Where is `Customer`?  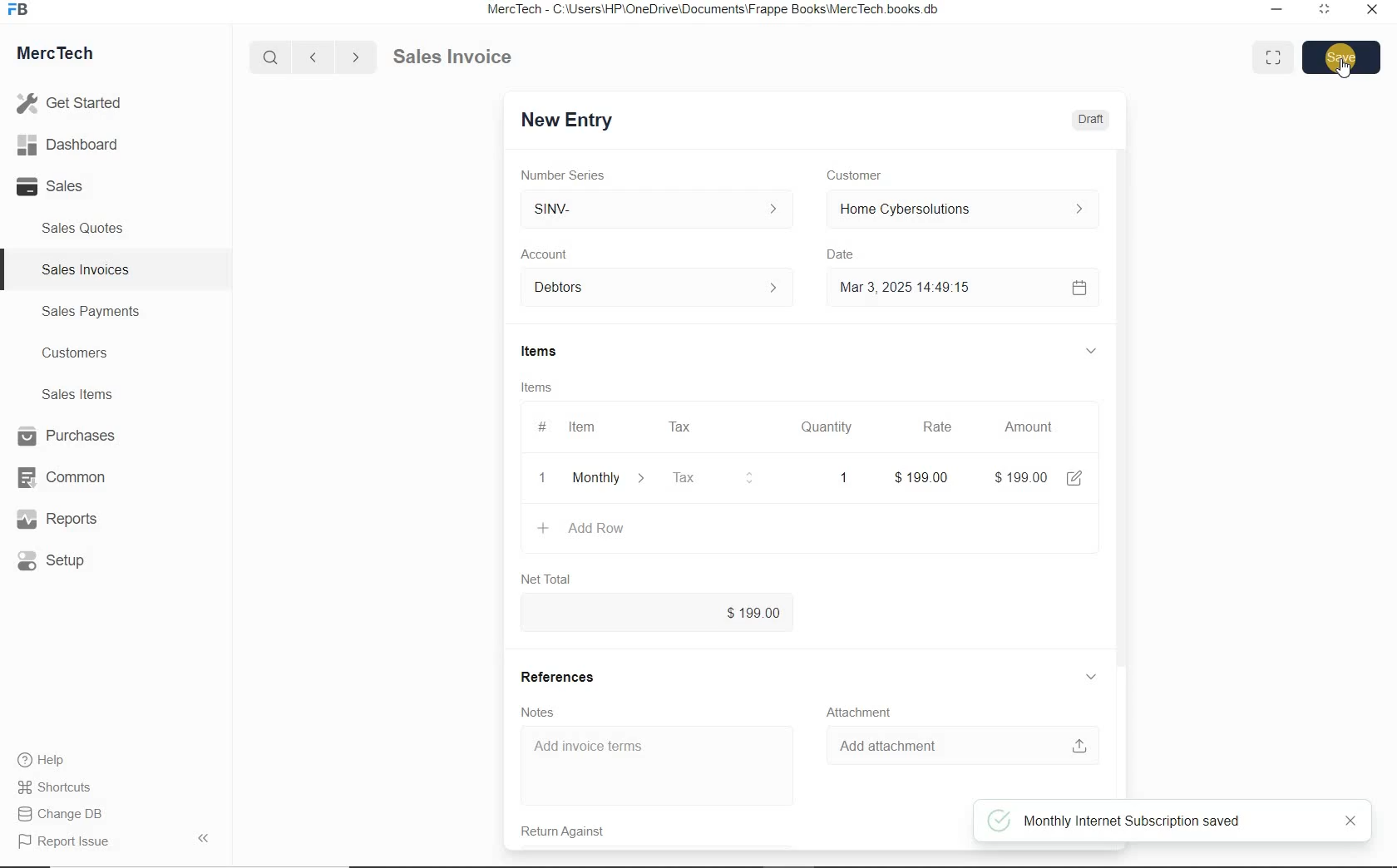
Customer is located at coordinates (865, 175).